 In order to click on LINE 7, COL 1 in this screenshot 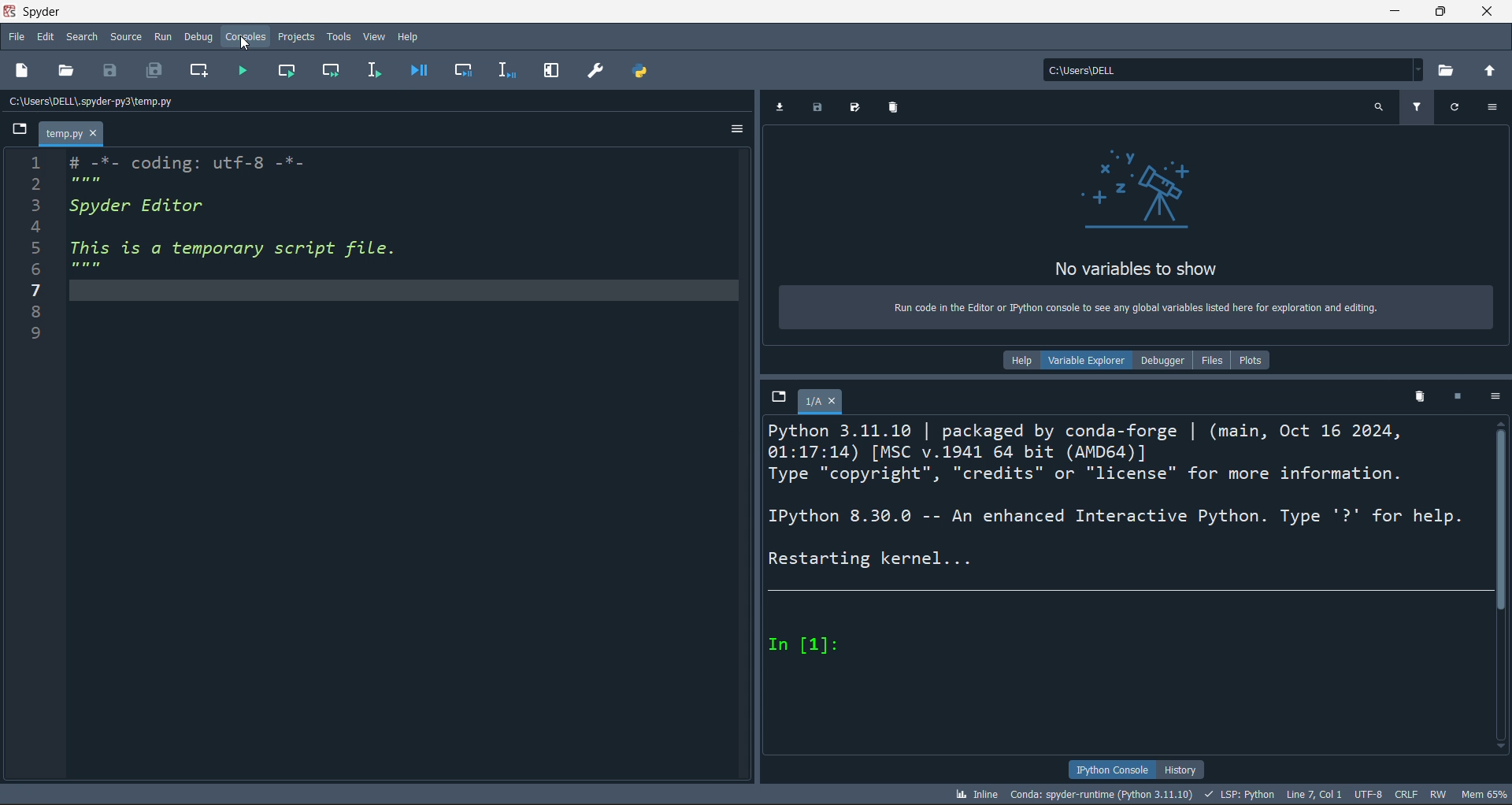, I will do `click(1314, 794)`.